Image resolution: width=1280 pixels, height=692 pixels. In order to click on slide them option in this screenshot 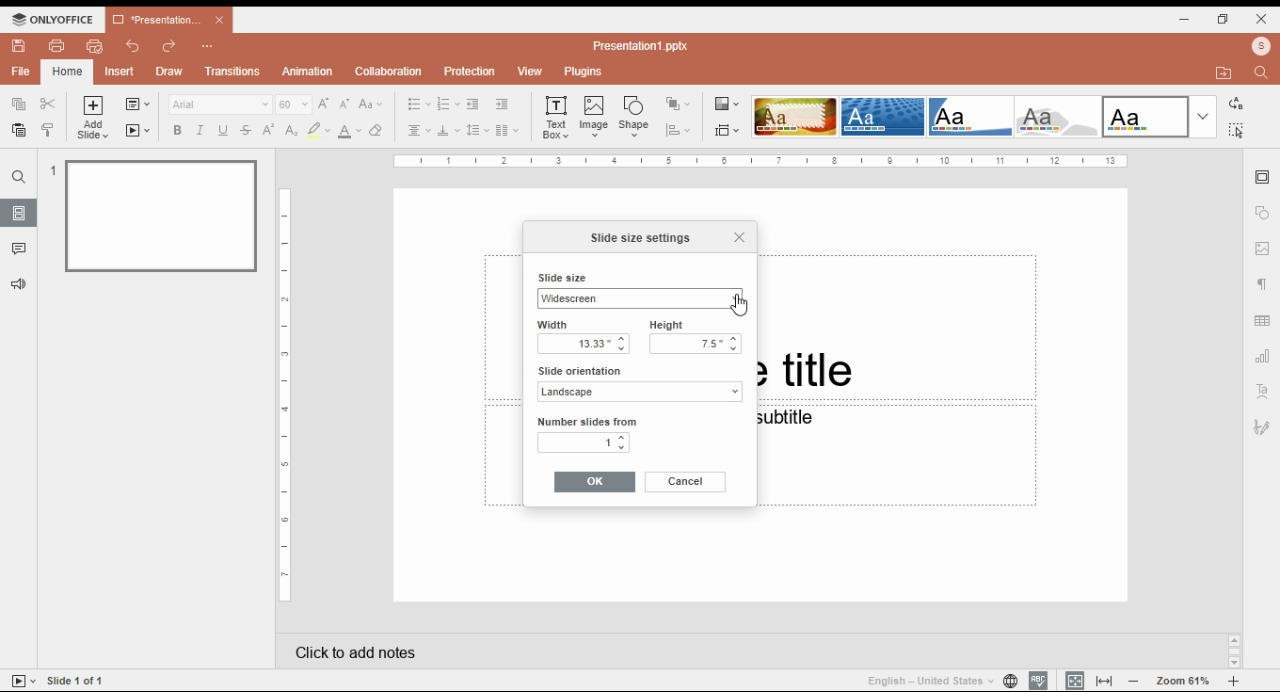, I will do `click(972, 116)`.